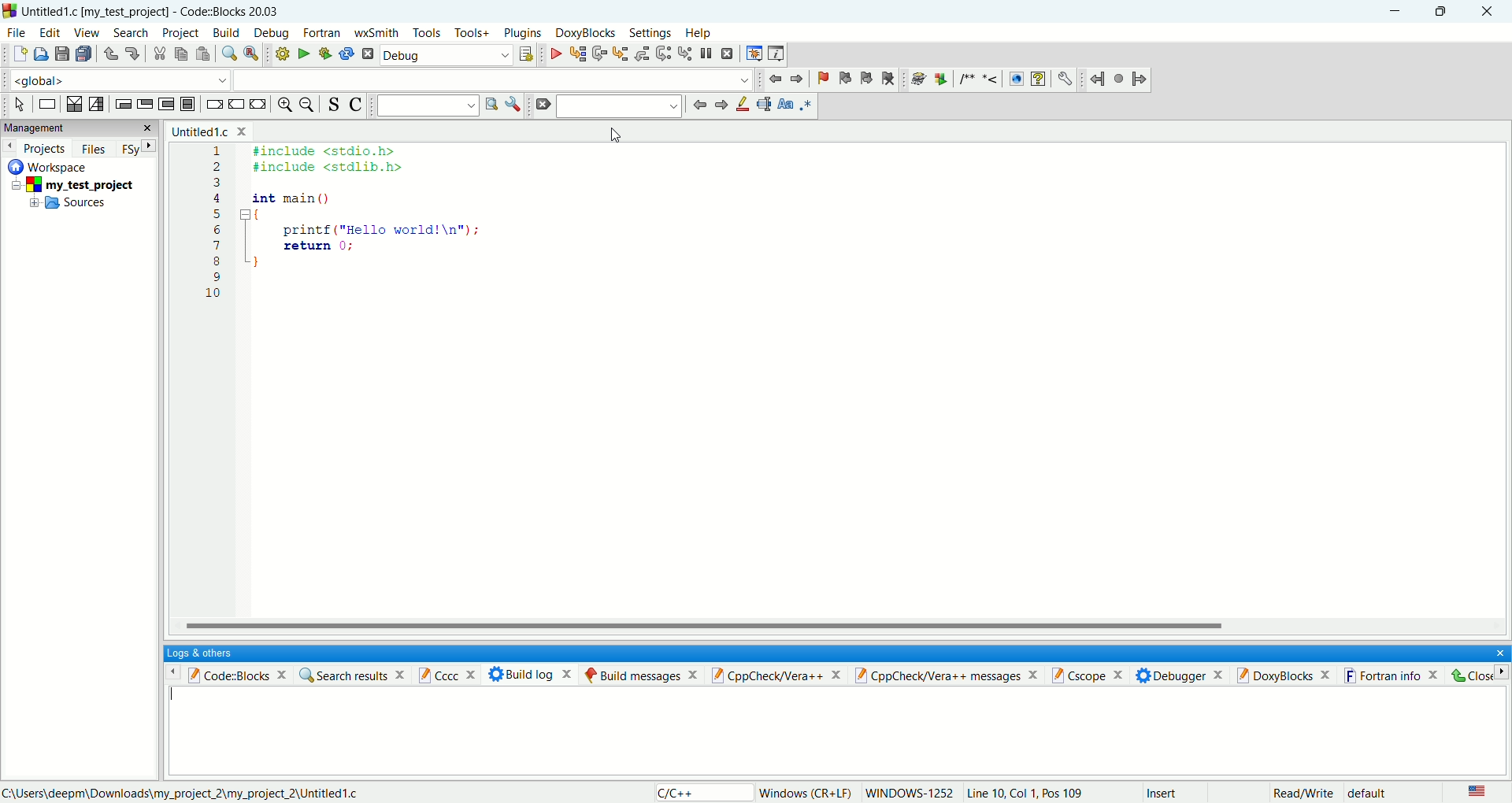 The width and height of the screenshot is (1512, 803). What do you see at coordinates (1396, 675) in the screenshot?
I see `fortran info` at bounding box center [1396, 675].